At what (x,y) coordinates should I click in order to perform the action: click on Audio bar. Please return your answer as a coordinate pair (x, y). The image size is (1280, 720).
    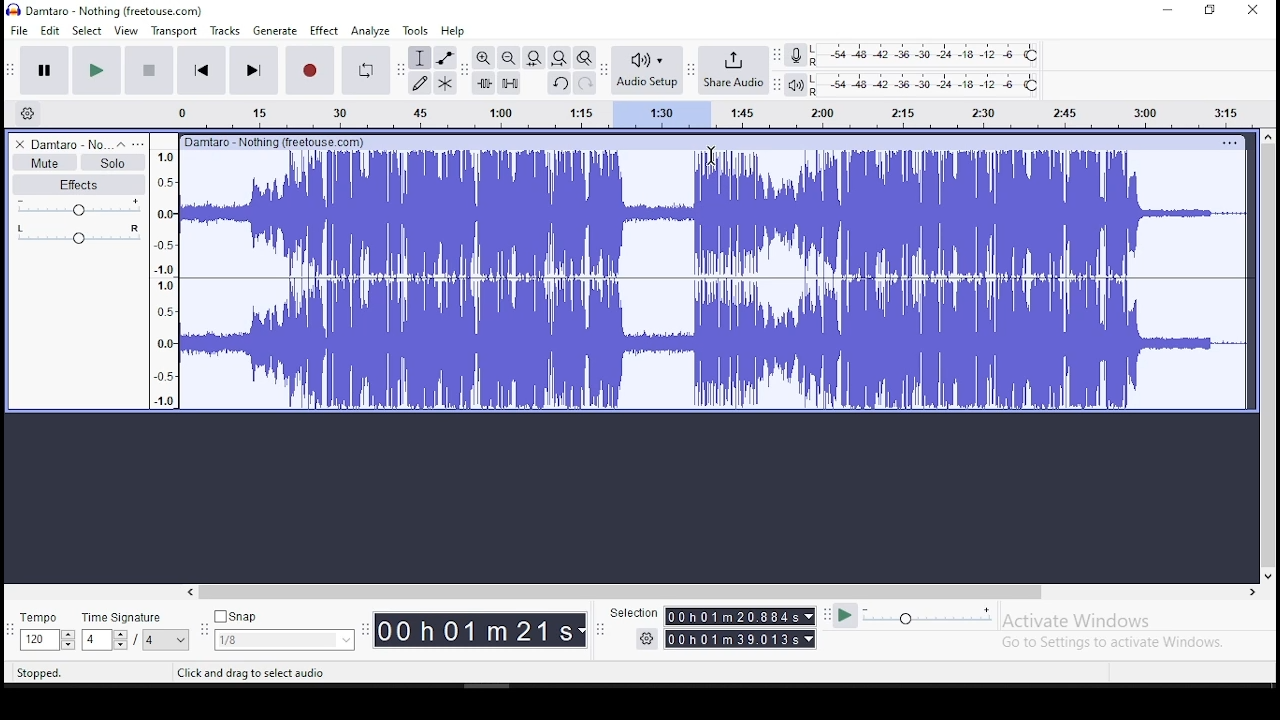
    Looking at the image, I should click on (694, 111).